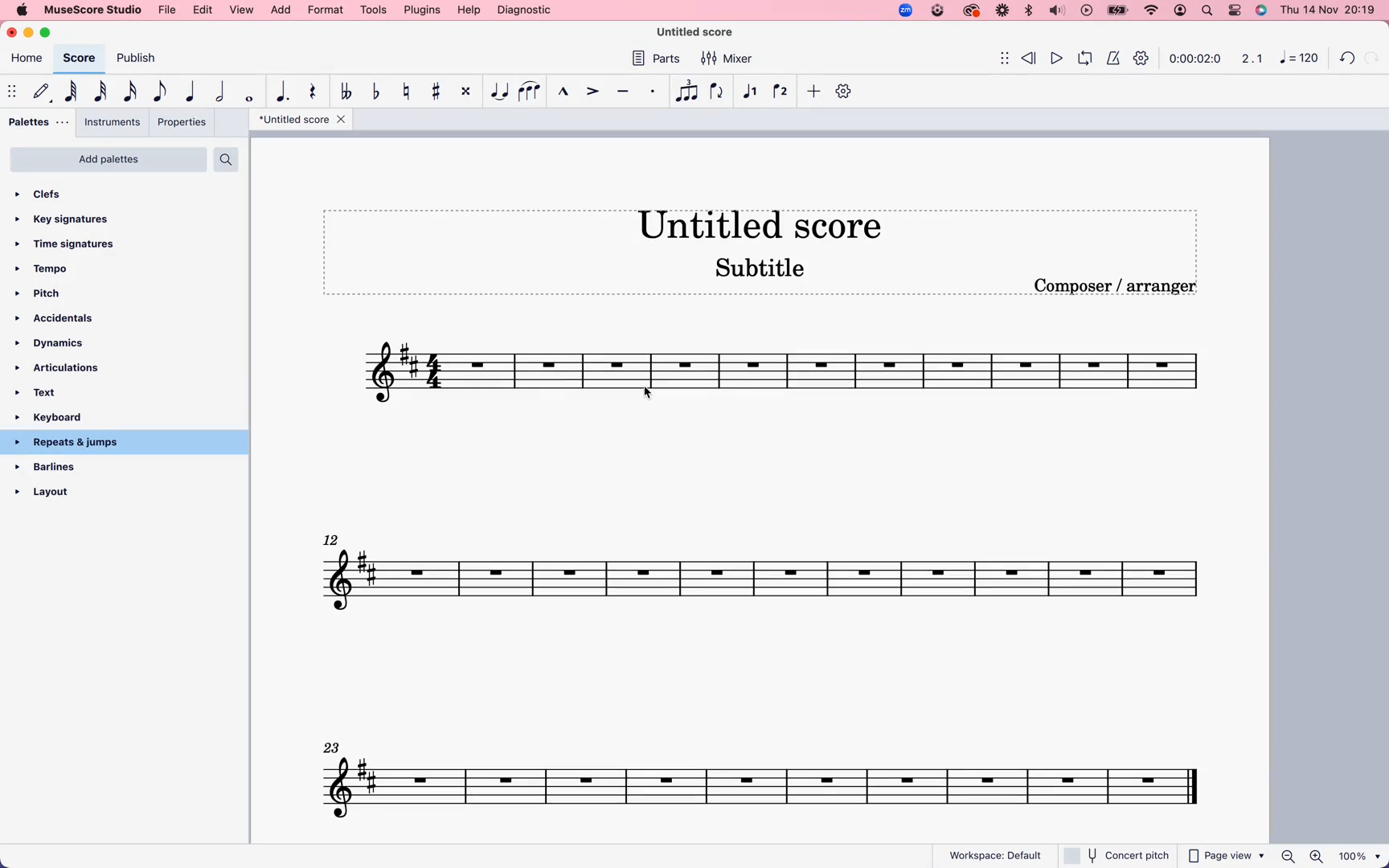 The height and width of the screenshot is (868, 1389). I want to click on mixer, so click(727, 59).